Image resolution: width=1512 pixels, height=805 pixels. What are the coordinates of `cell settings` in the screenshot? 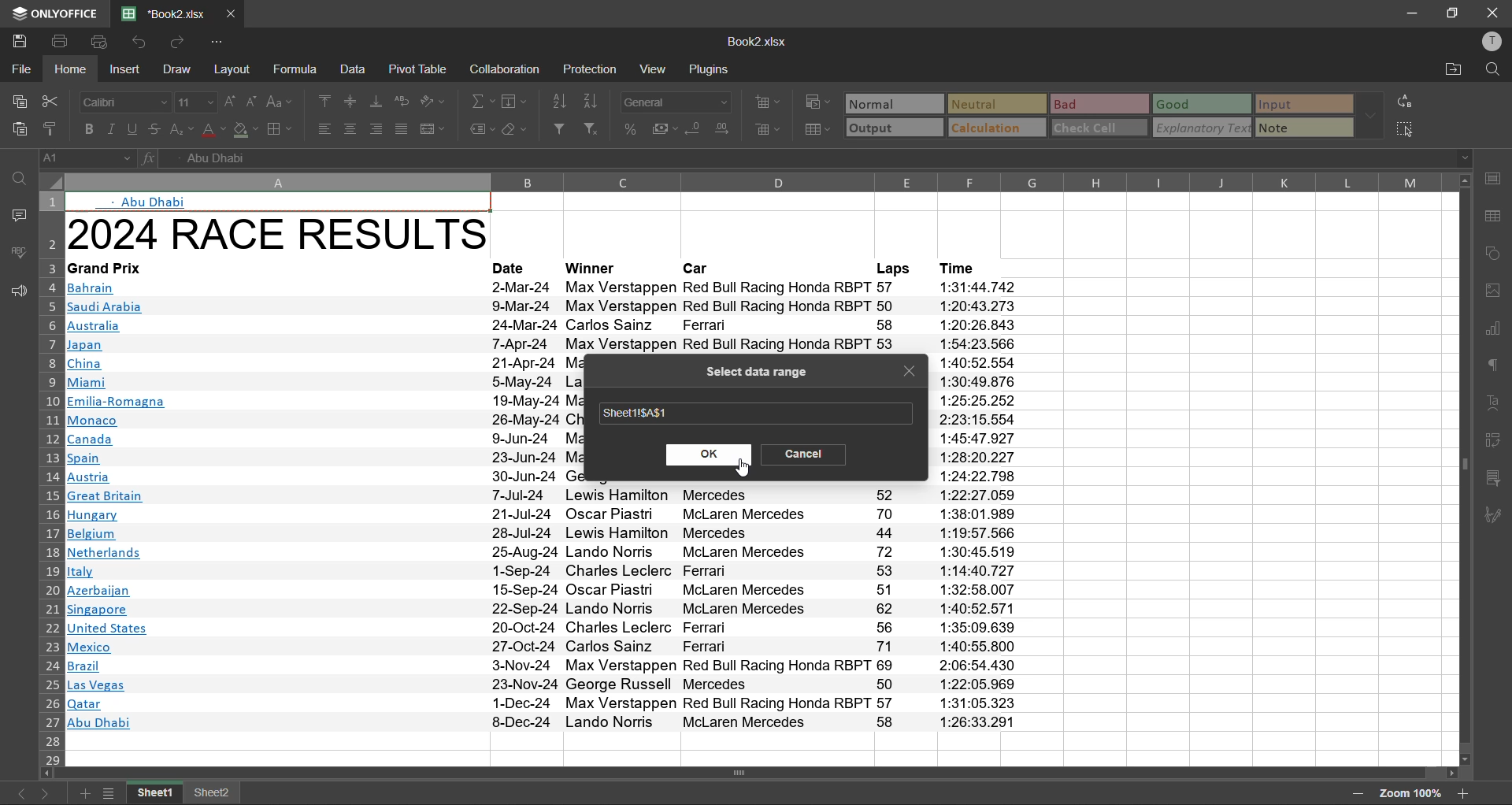 It's located at (1493, 178).